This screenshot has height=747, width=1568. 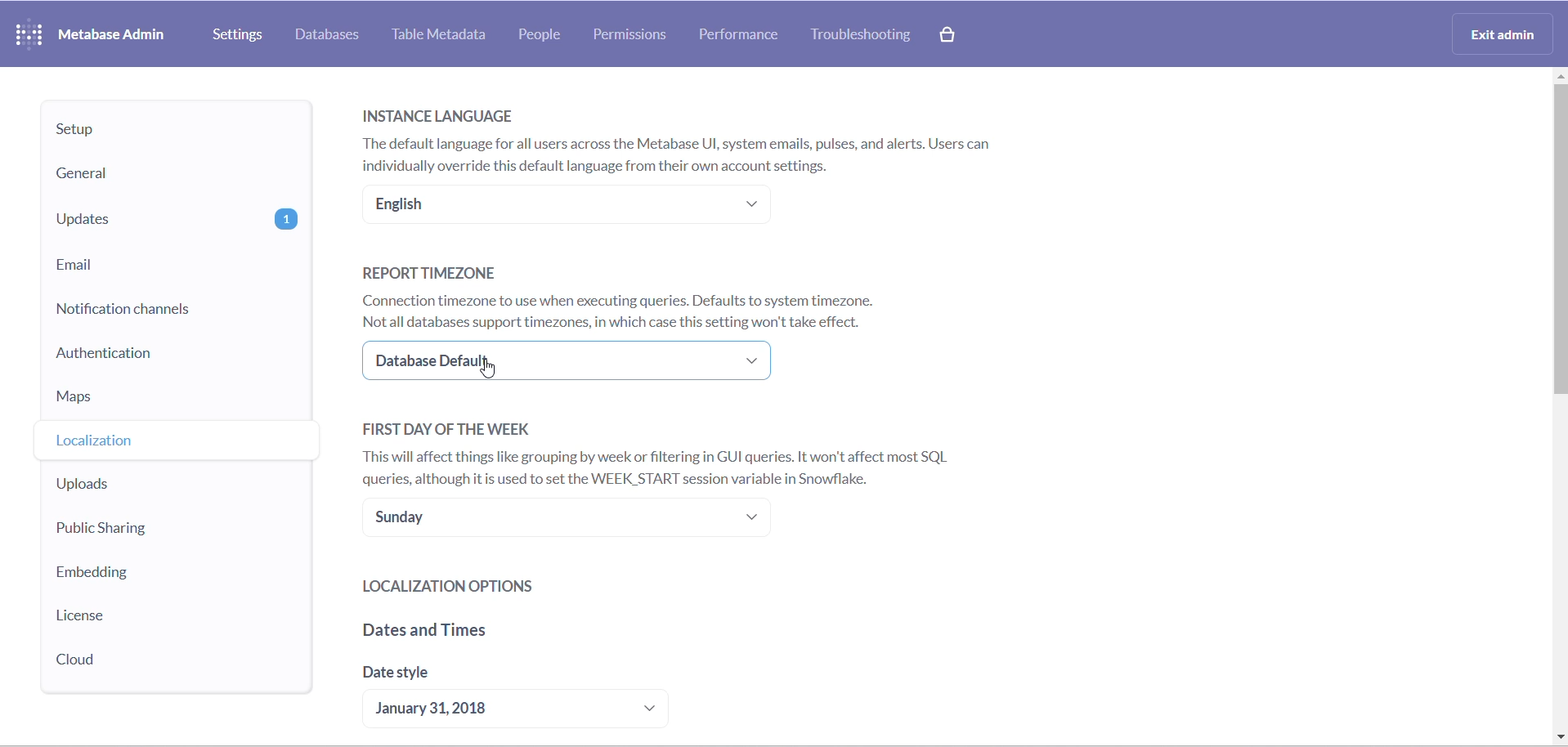 I want to click on GENERAL, so click(x=171, y=175).